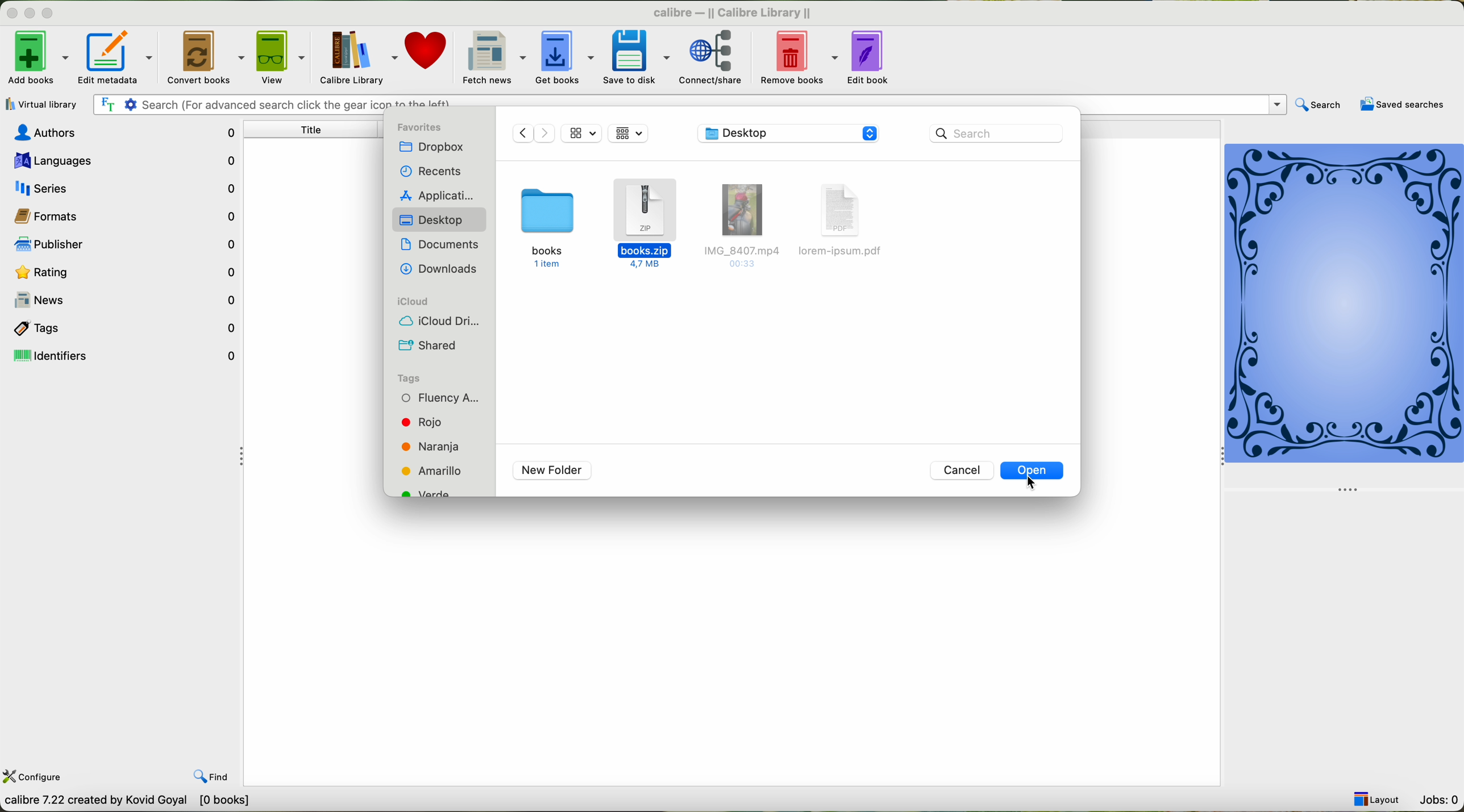 Image resolution: width=1464 pixels, height=812 pixels. I want to click on convert books, so click(203, 58).